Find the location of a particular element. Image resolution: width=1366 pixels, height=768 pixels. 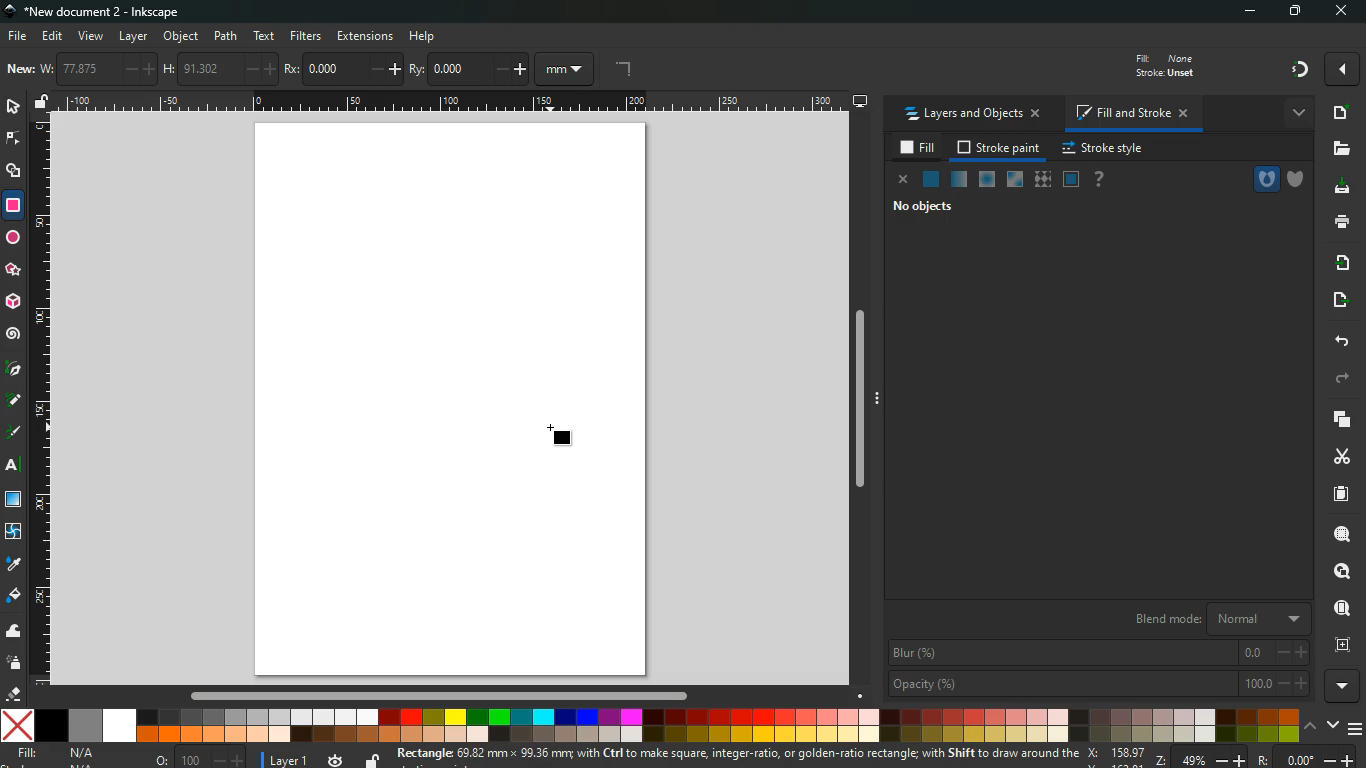

download is located at coordinates (1340, 188).